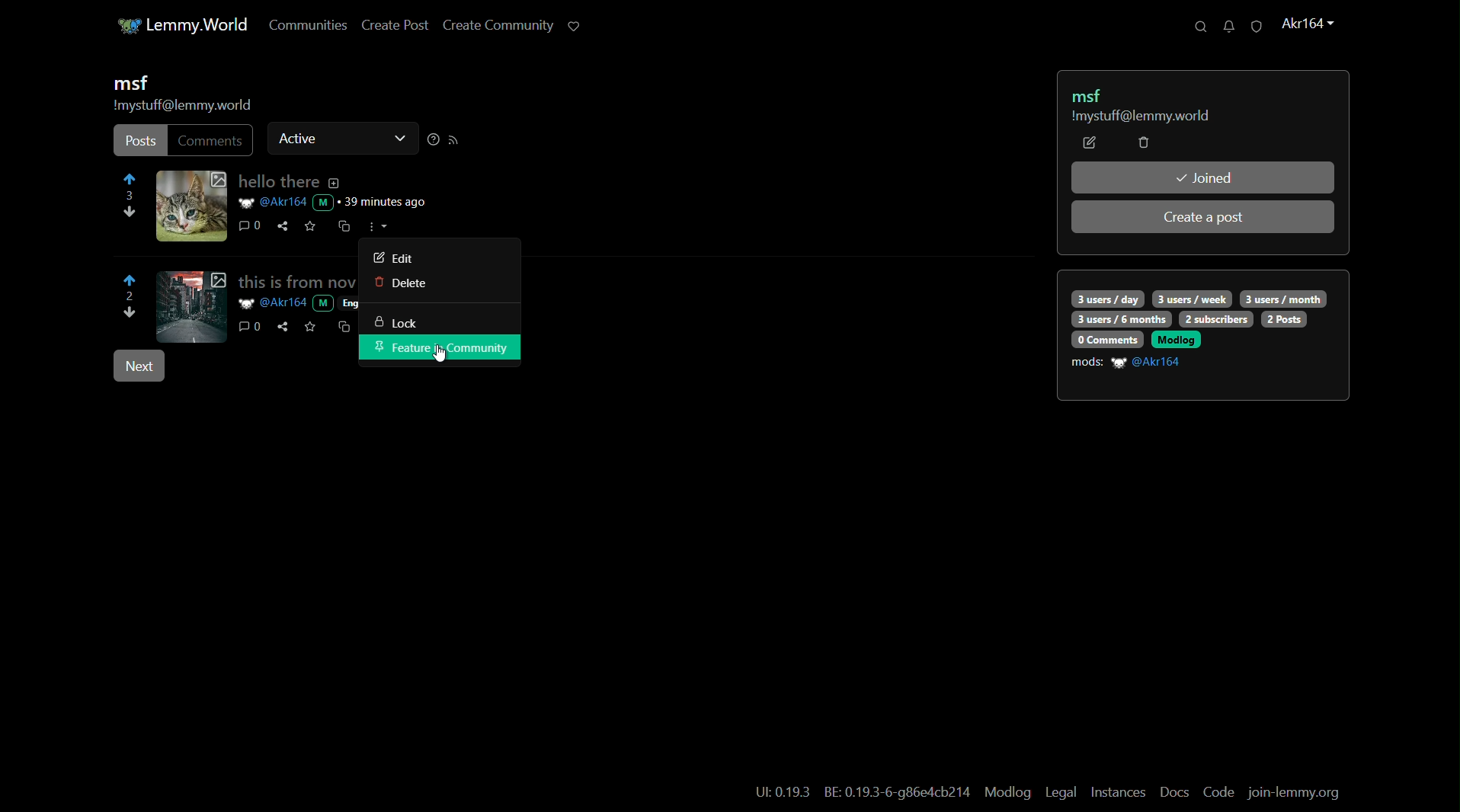 The image size is (1460, 812). I want to click on docs, so click(1175, 792).